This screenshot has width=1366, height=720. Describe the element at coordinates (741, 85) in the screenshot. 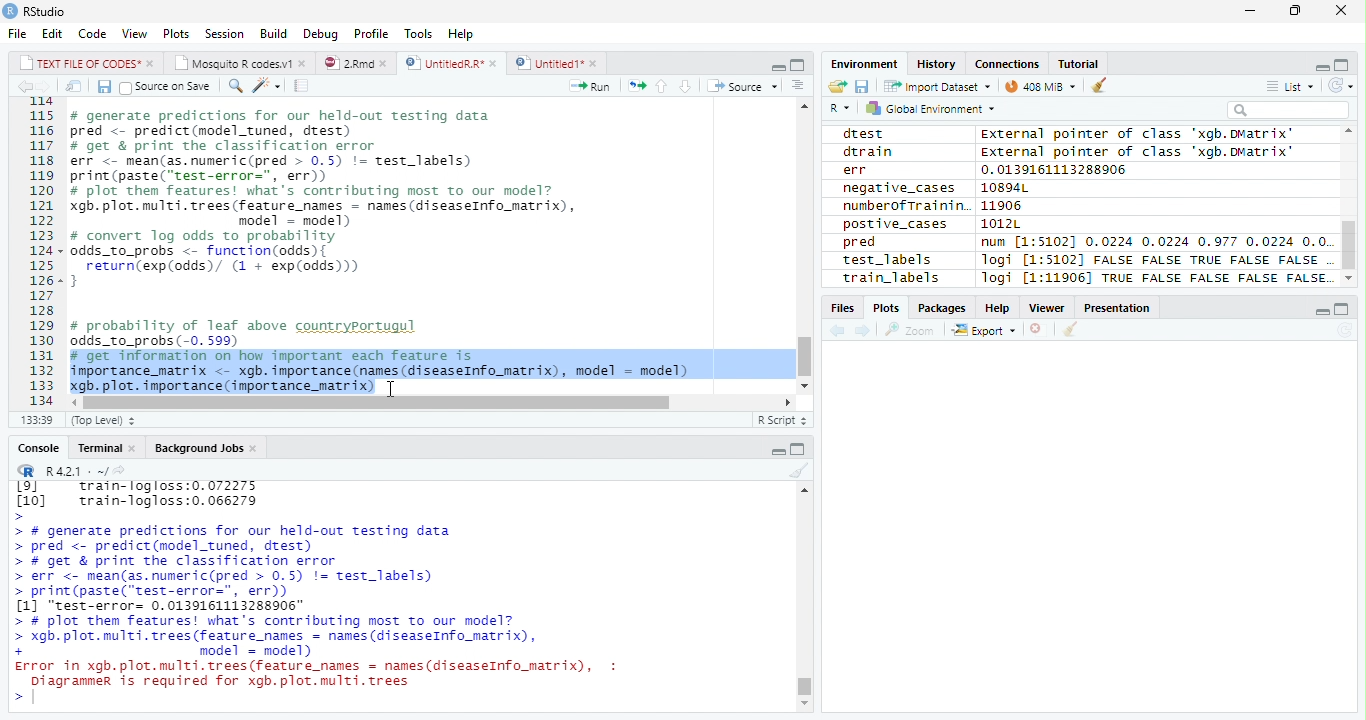

I see `Source` at that location.